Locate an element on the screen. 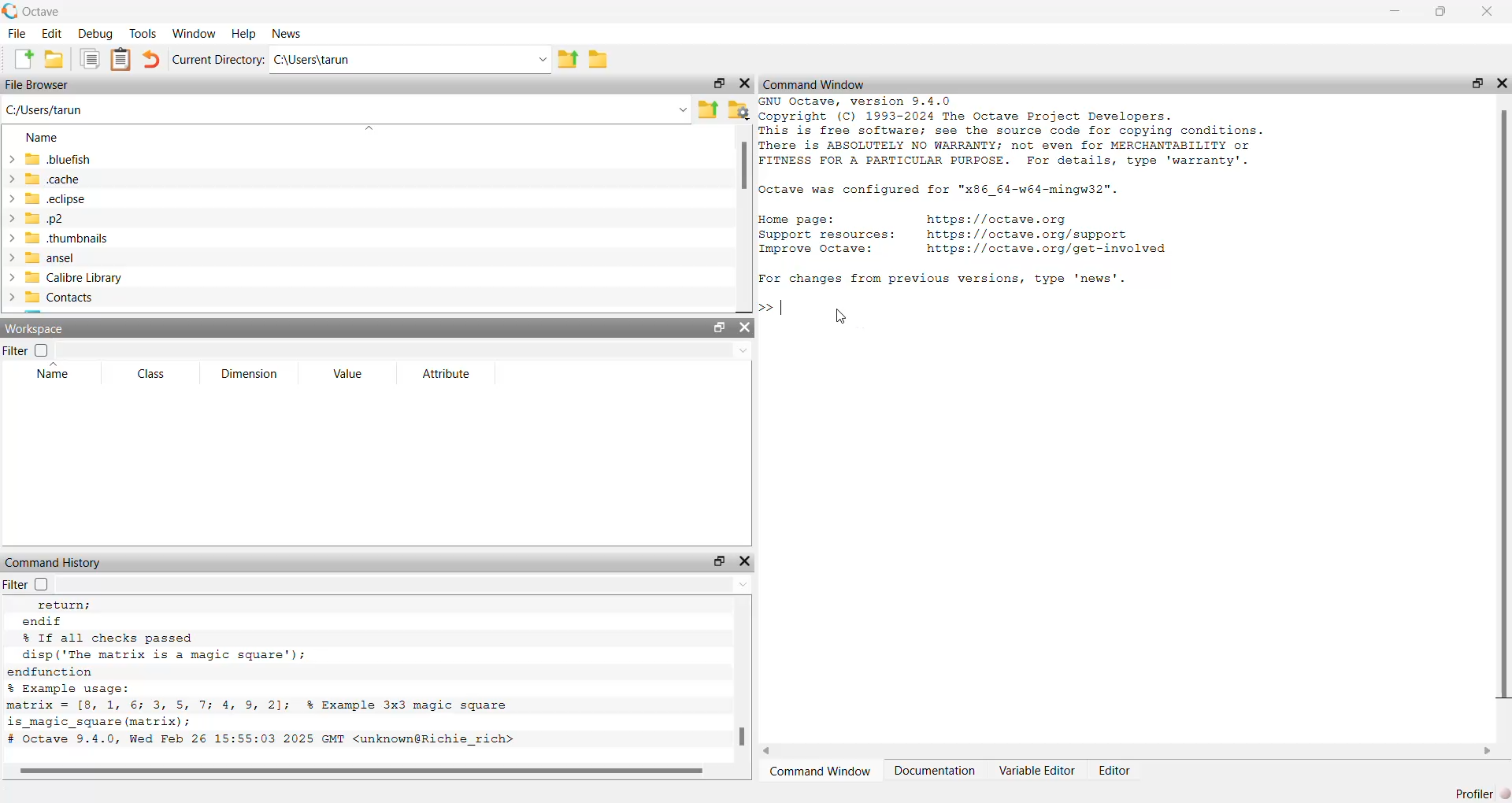 This screenshot has width=1512, height=803. File Browser is located at coordinates (39, 84).